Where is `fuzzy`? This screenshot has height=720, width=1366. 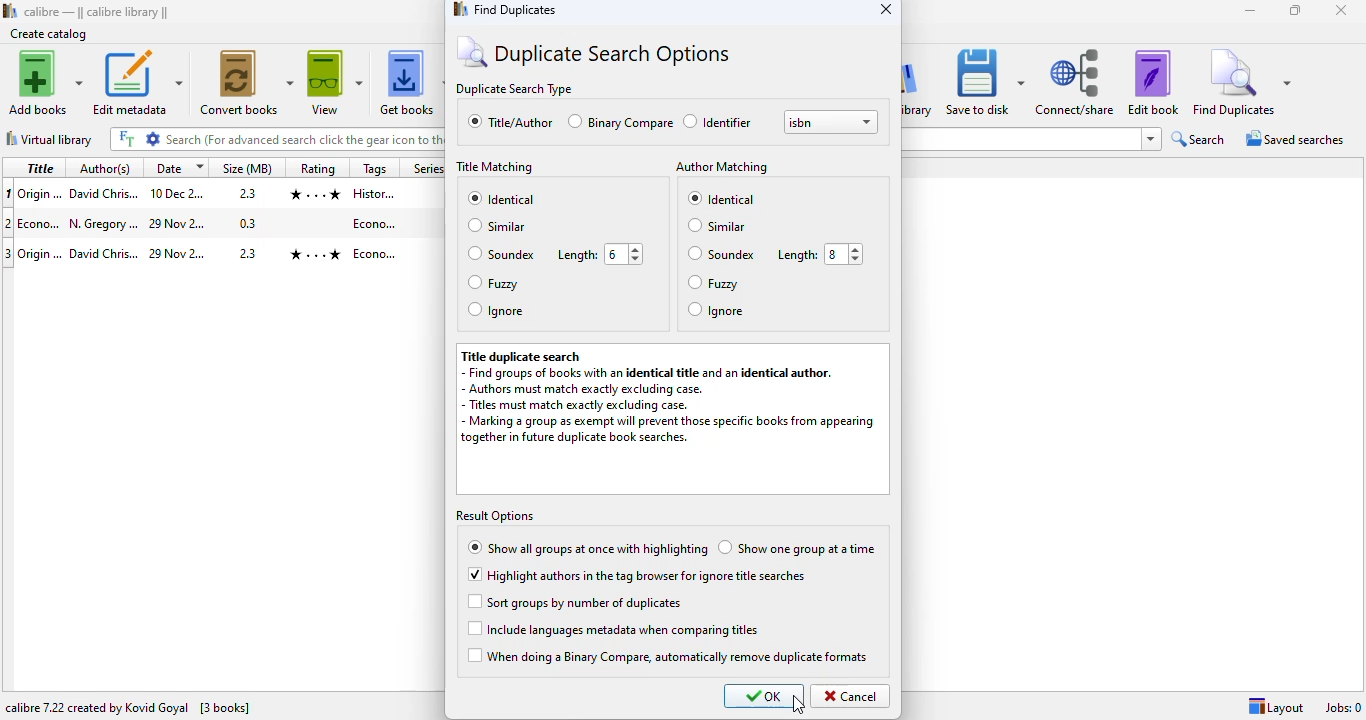
fuzzy is located at coordinates (715, 282).